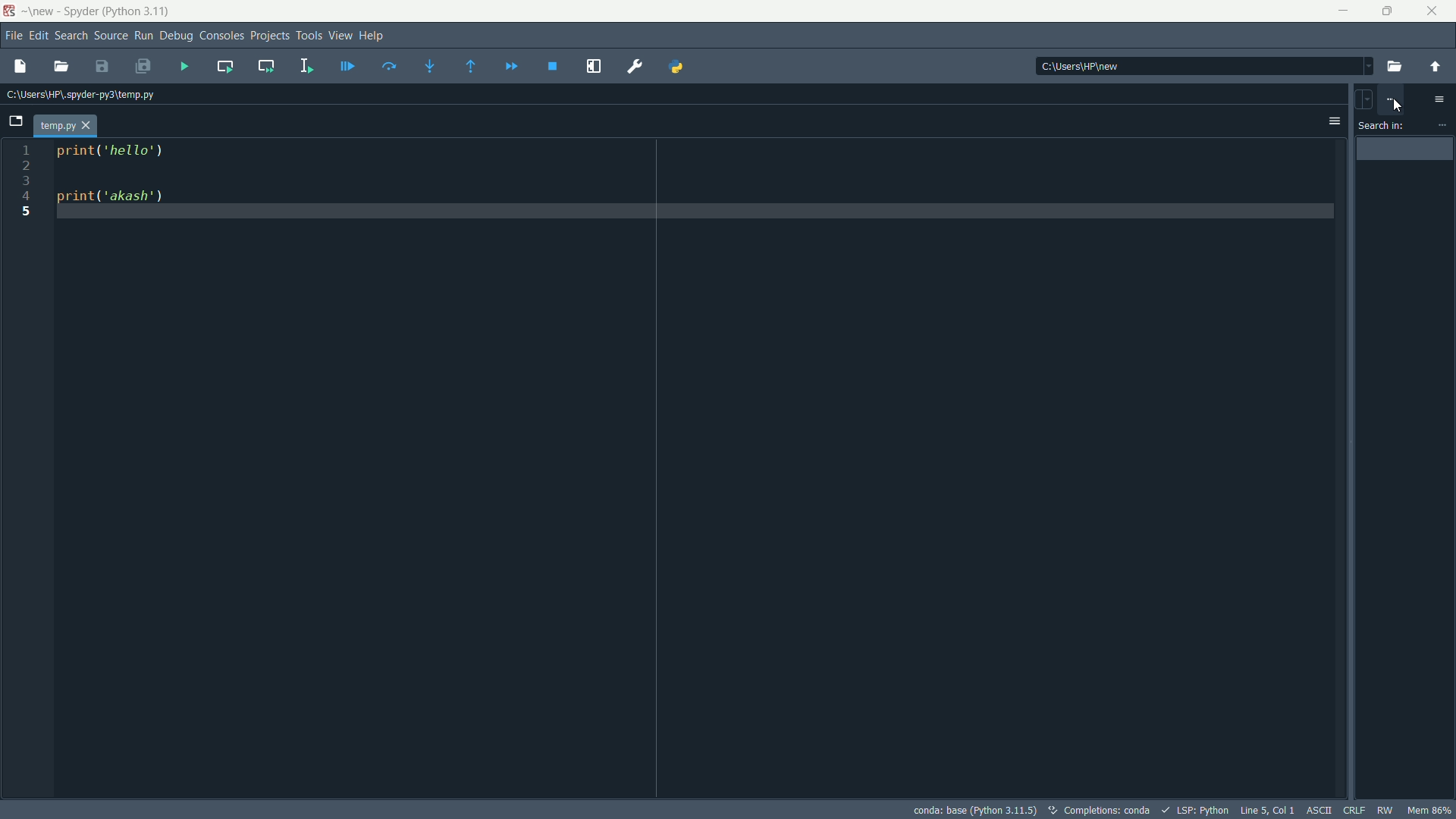 The width and height of the screenshot is (1456, 819). What do you see at coordinates (1058, 808) in the screenshot?
I see `completions: conda` at bounding box center [1058, 808].